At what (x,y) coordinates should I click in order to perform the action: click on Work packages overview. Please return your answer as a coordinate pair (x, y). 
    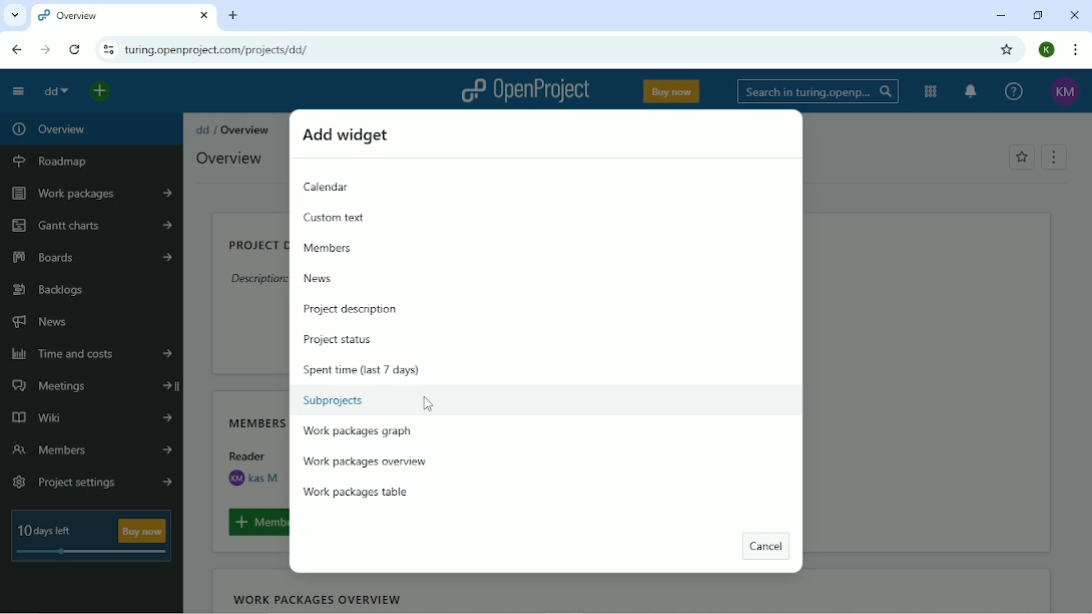
    Looking at the image, I should click on (365, 463).